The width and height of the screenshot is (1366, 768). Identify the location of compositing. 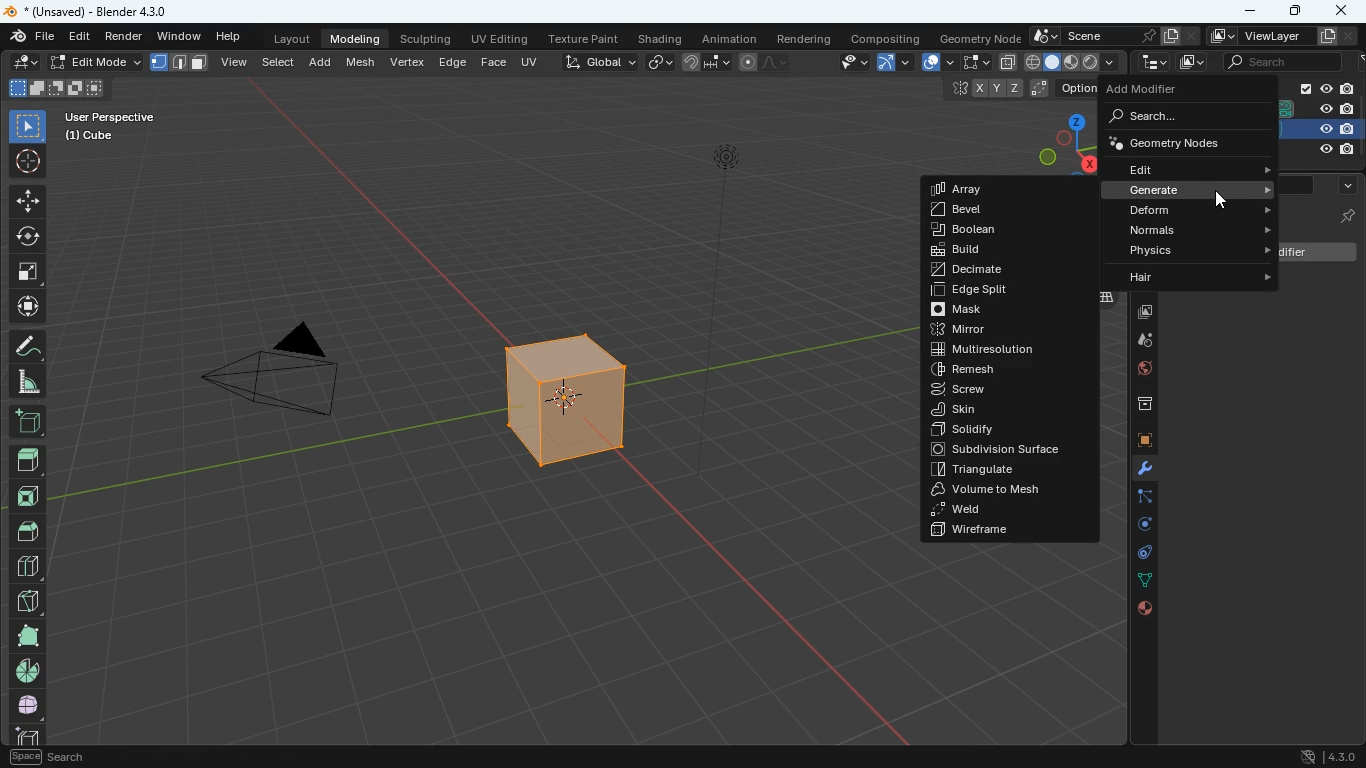
(884, 39).